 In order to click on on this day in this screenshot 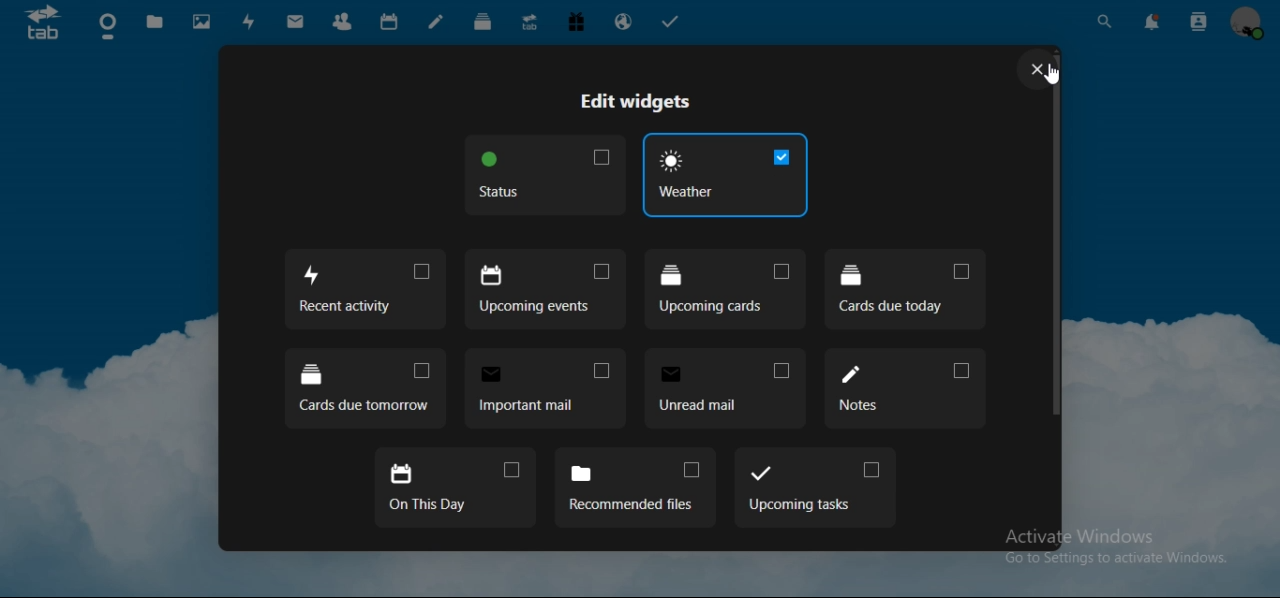, I will do `click(452, 488)`.